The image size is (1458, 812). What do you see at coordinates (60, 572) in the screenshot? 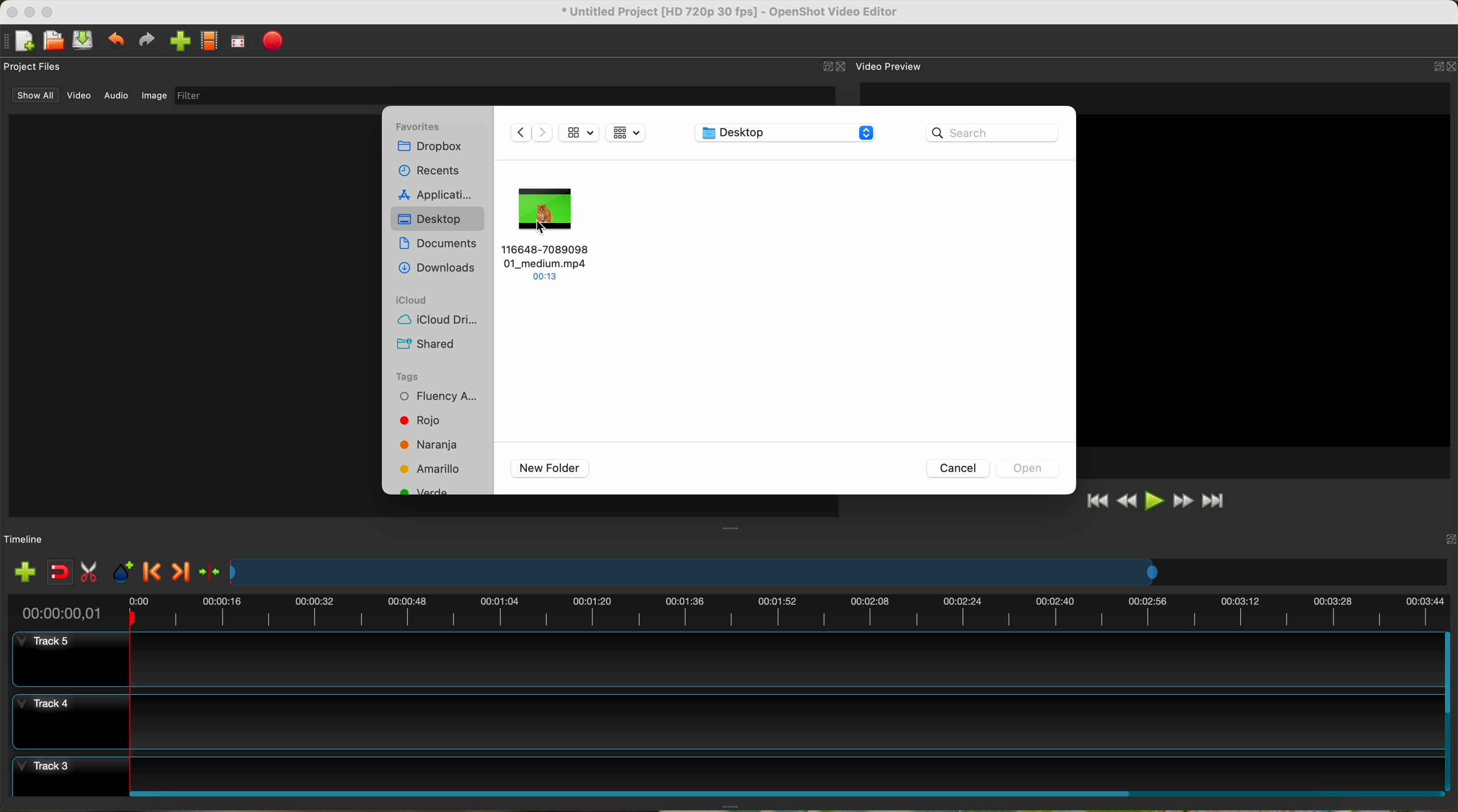
I see `disable snapping` at bounding box center [60, 572].